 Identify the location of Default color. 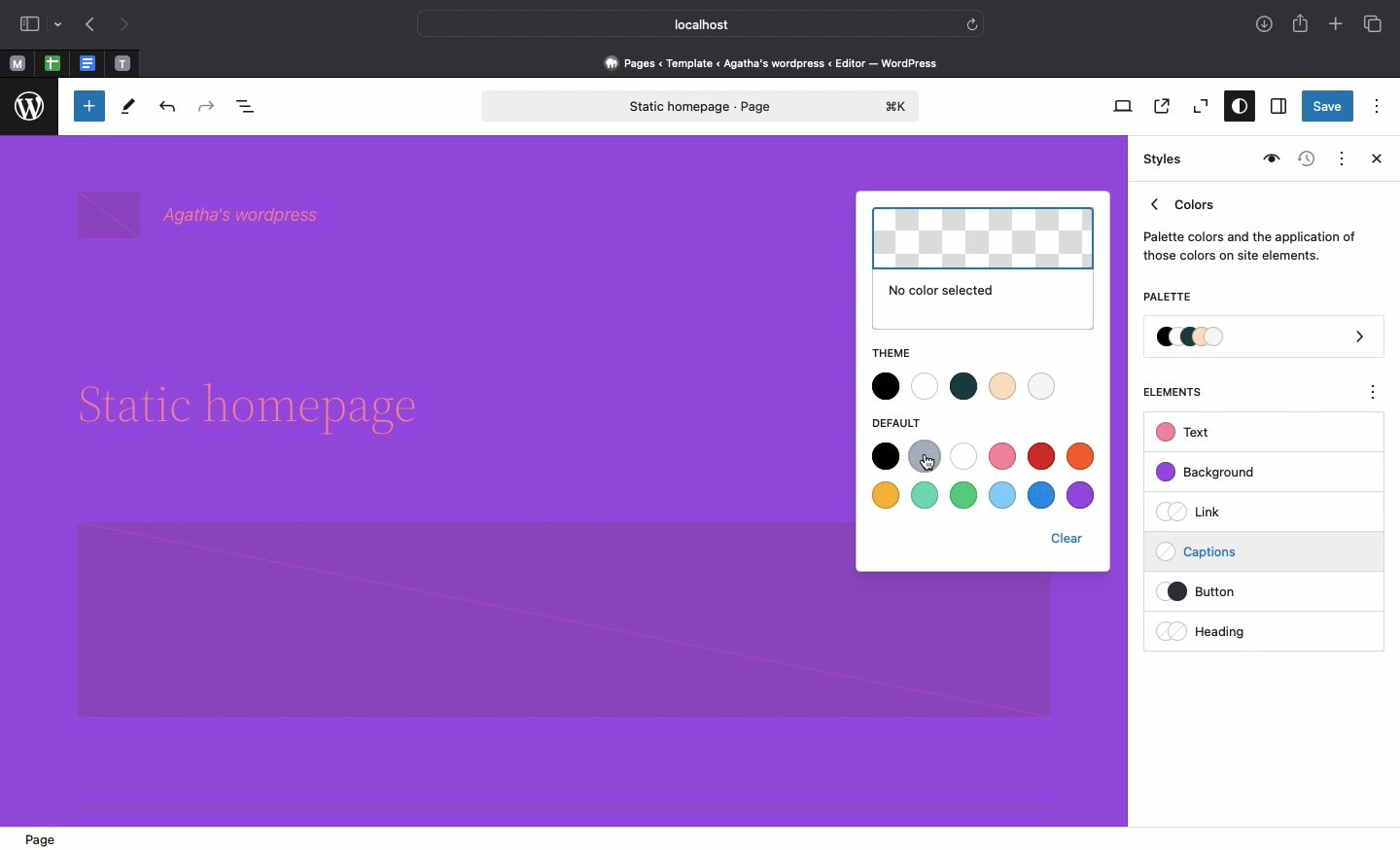
(989, 477).